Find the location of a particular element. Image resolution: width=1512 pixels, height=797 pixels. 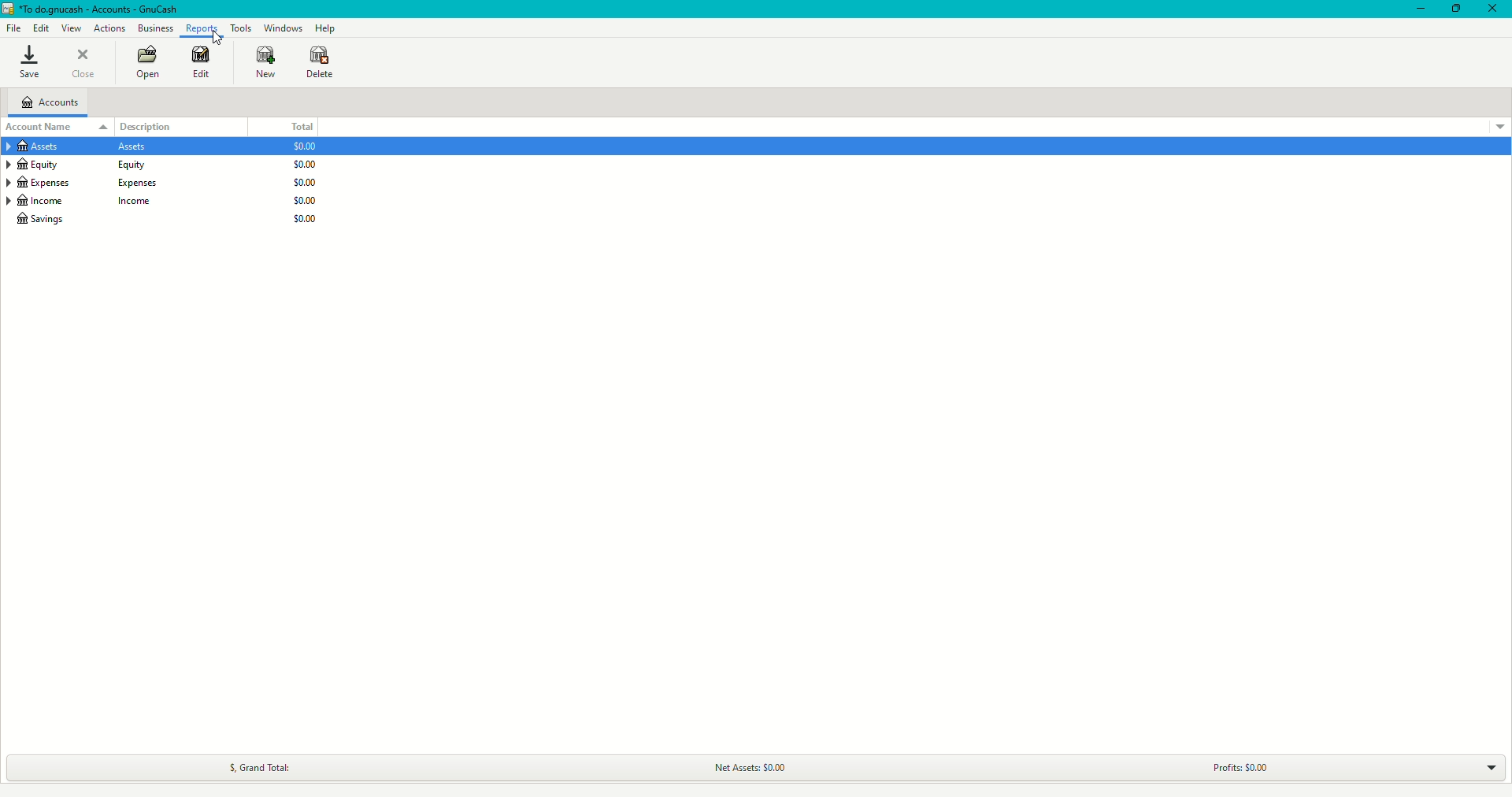

Grand Total is located at coordinates (257, 767).